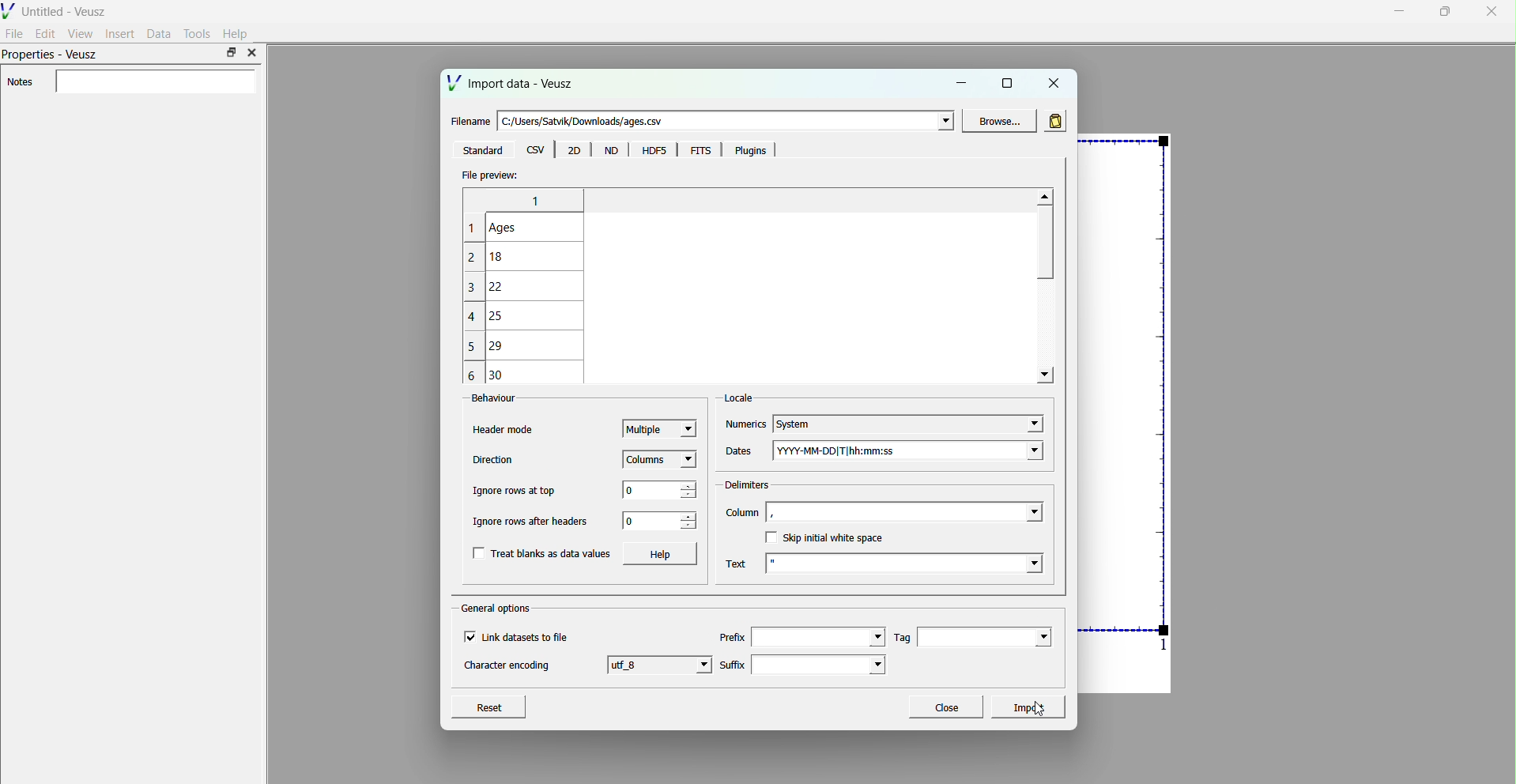 The image size is (1516, 784). What do you see at coordinates (498, 609) in the screenshot?
I see `General options.` at bounding box center [498, 609].